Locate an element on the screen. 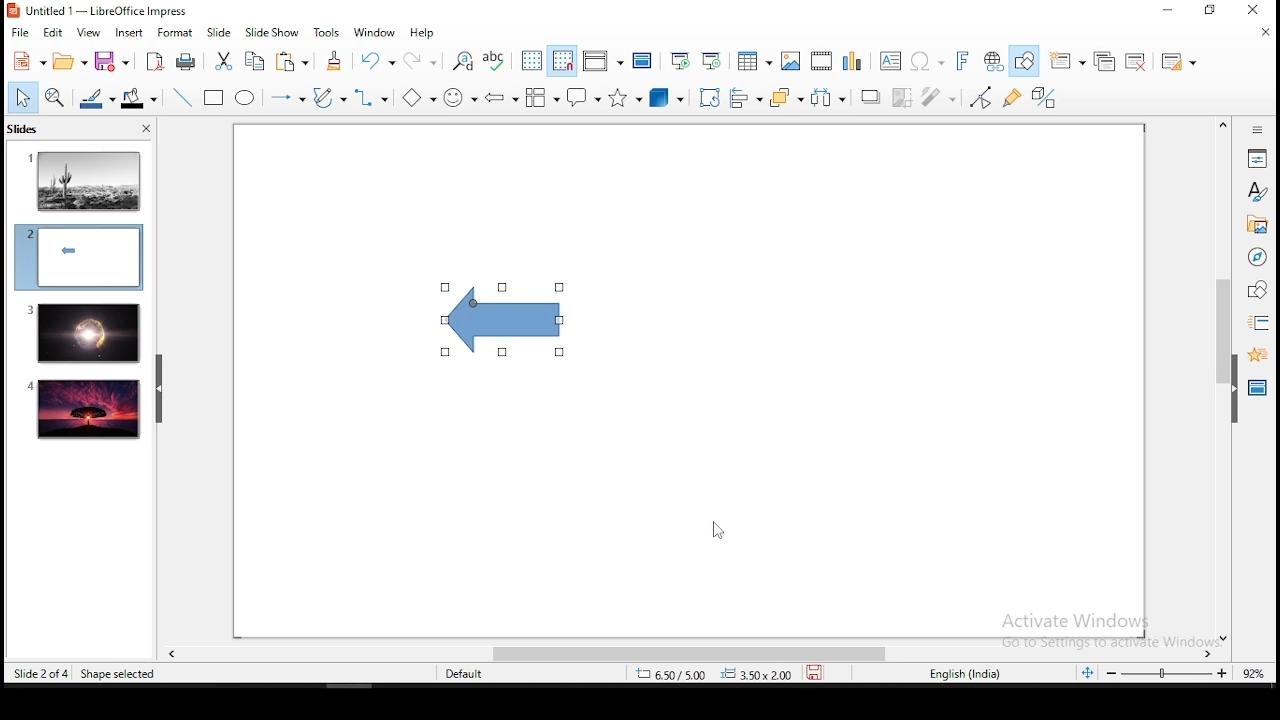 This screenshot has width=1280, height=720. slide is located at coordinates (220, 33).